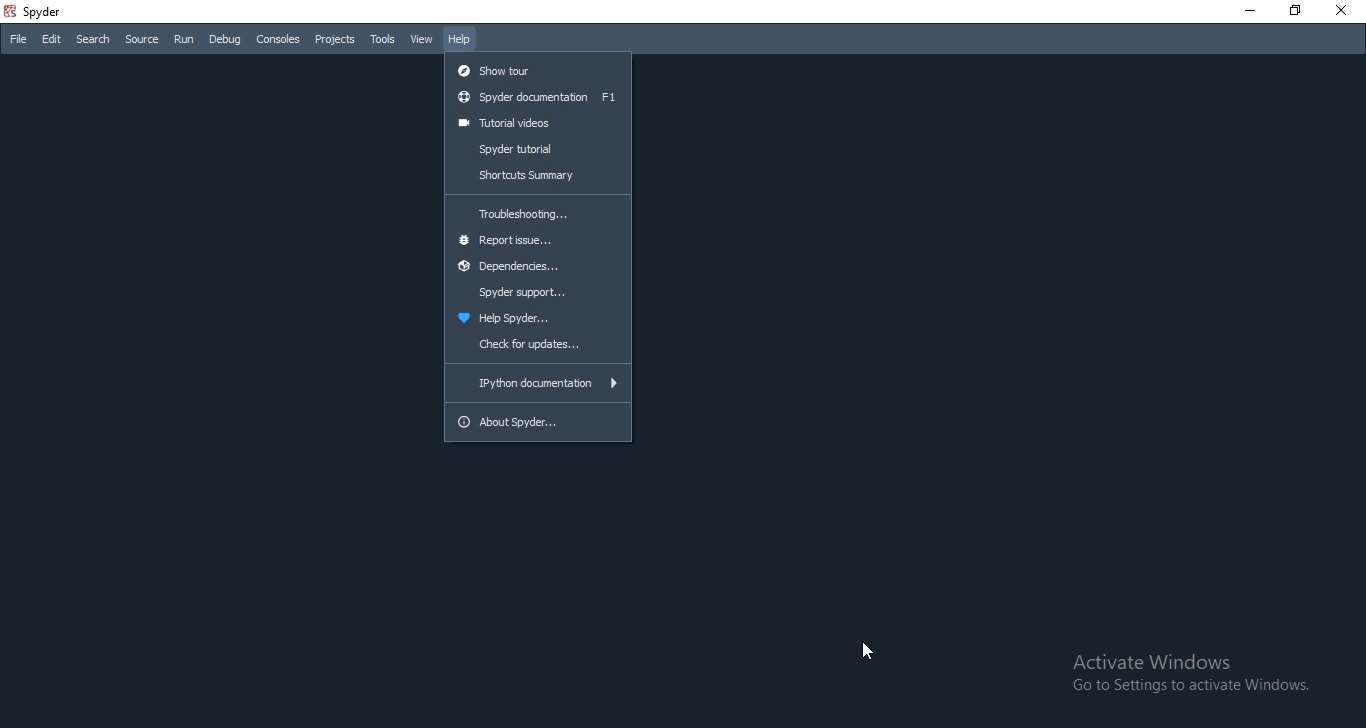  Describe the element at coordinates (279, 39) in the screenshot. I see `Consoles` at that location.